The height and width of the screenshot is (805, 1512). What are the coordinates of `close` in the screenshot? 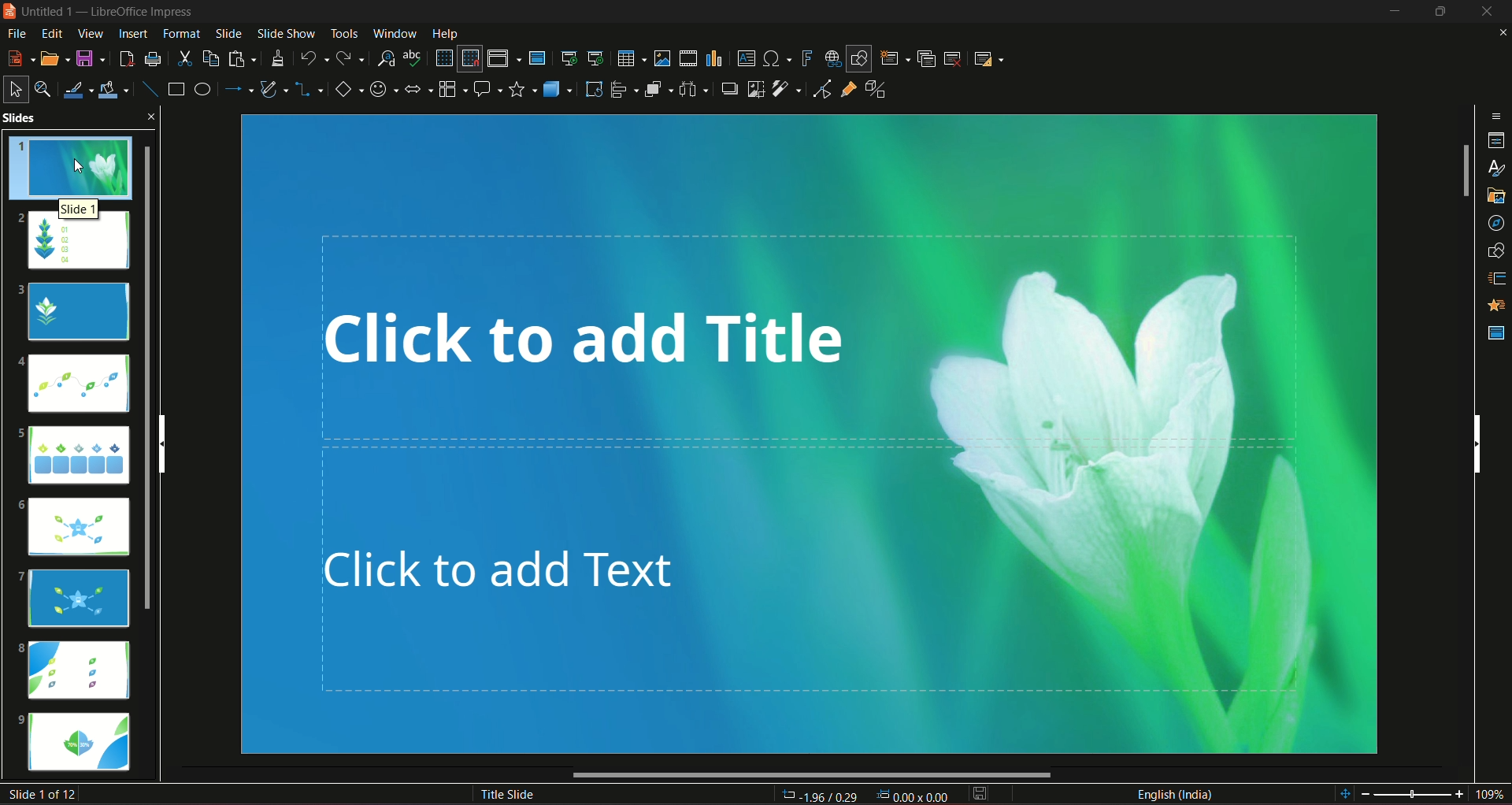 It's located at (1499, 33).